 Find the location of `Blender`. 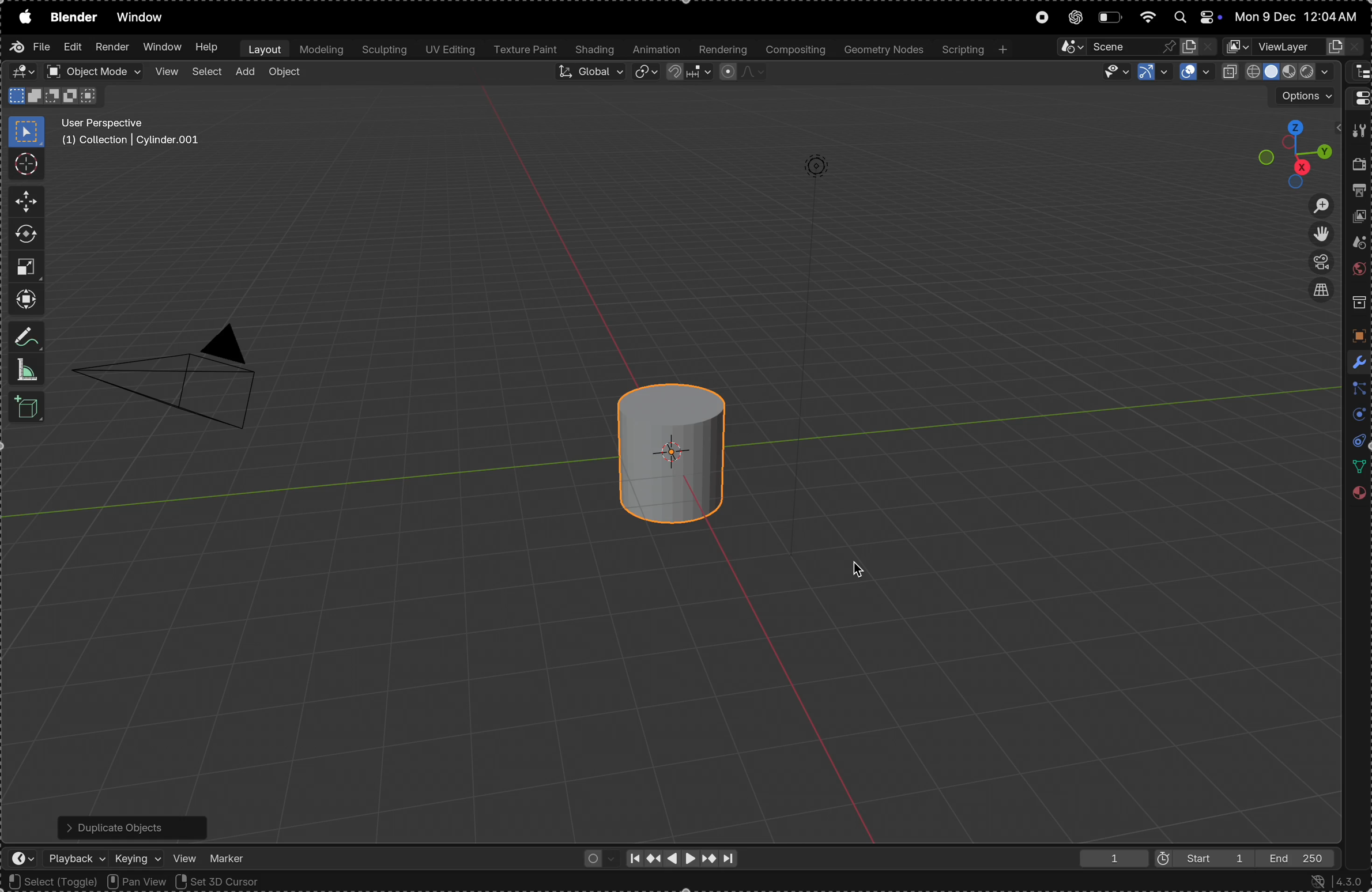

Blender is located at coordinates (73, 17).